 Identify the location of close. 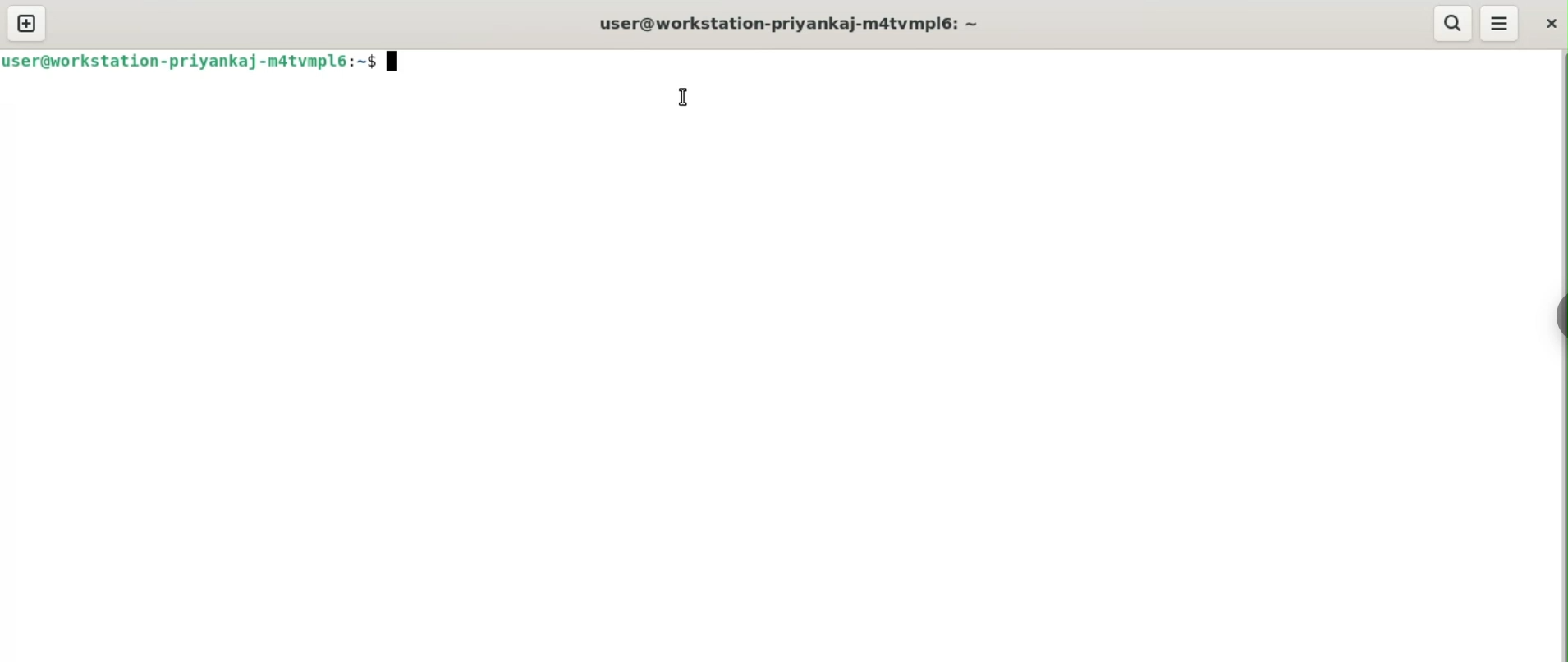
(1550, 22).